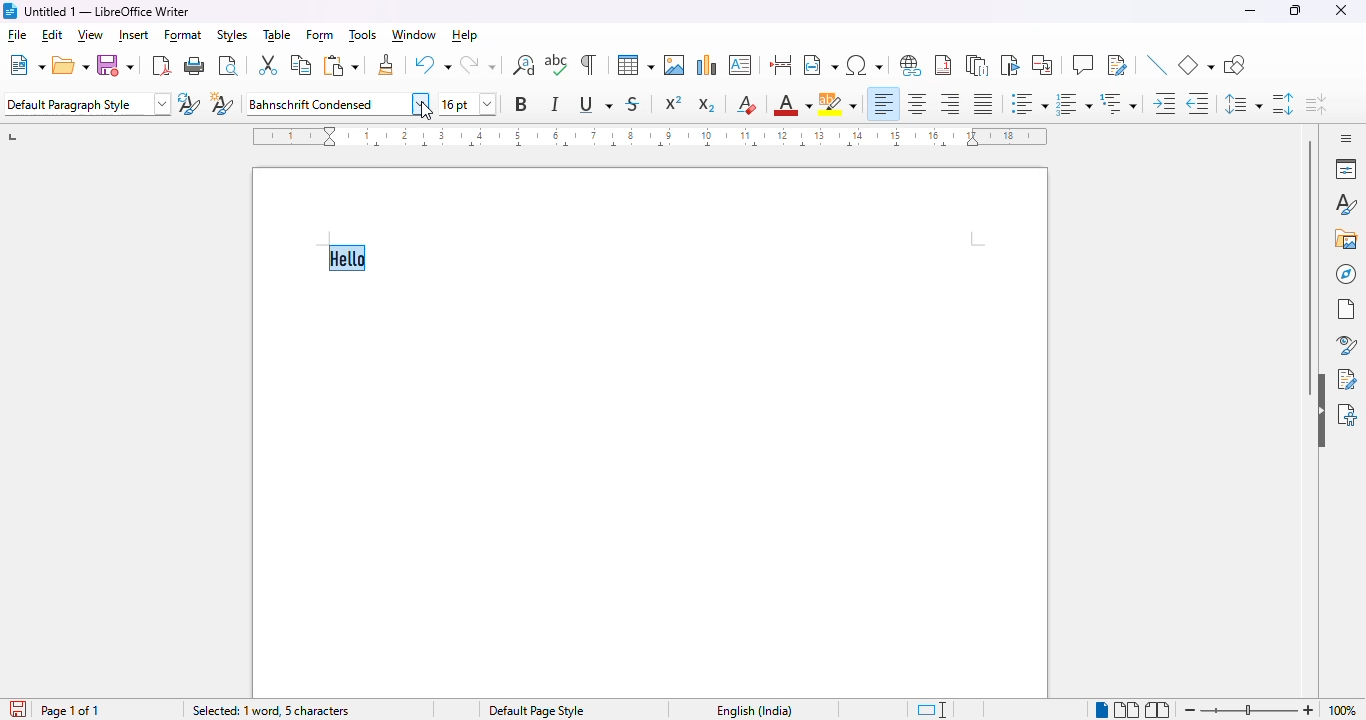 This screenshot has width=1366, height=720. Describe the element at coordinates (1347, 274) in the screenshot. I see `navigator` at that location.